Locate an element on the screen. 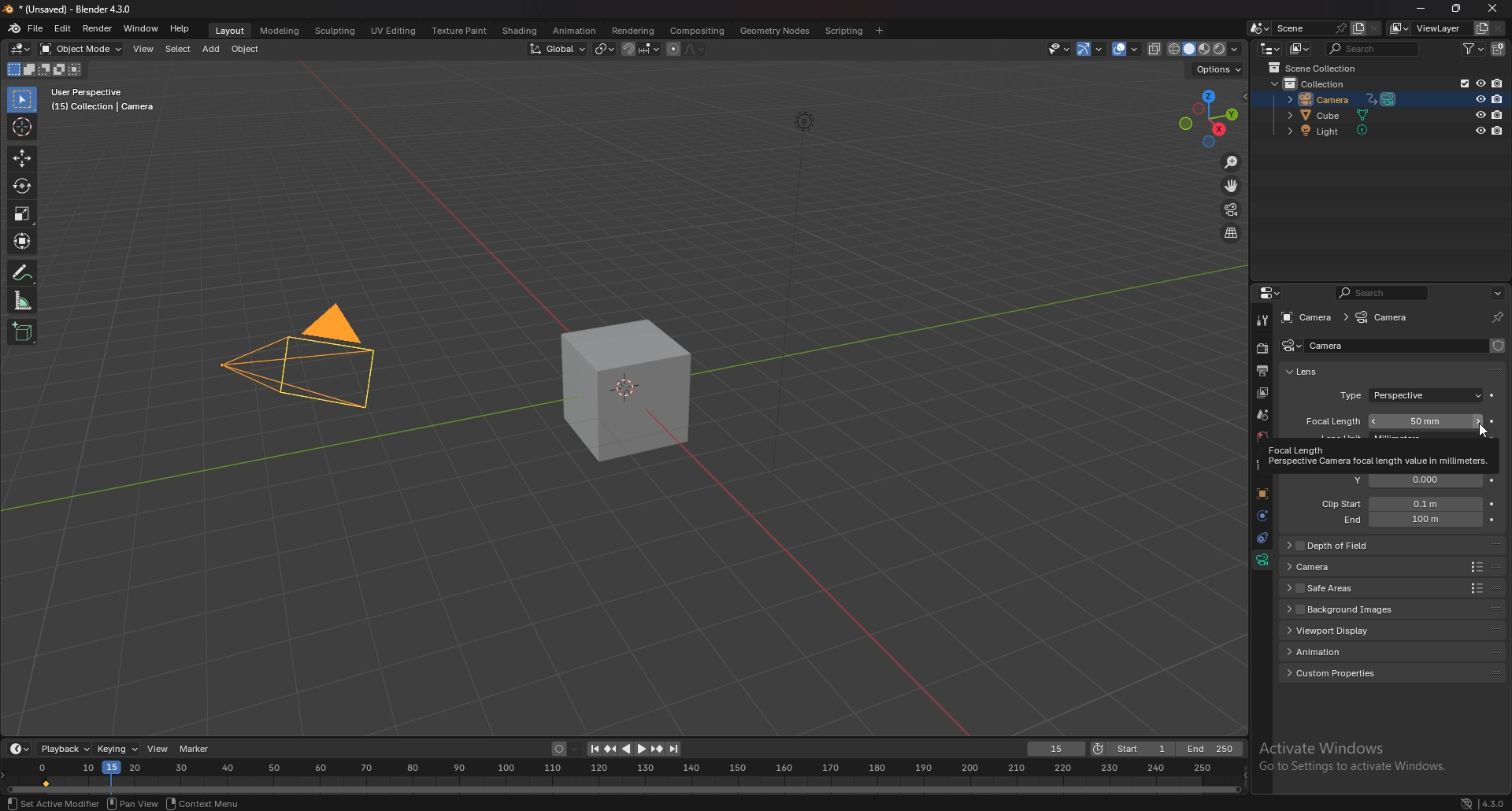  play animation is located at coordinates (635, 749).